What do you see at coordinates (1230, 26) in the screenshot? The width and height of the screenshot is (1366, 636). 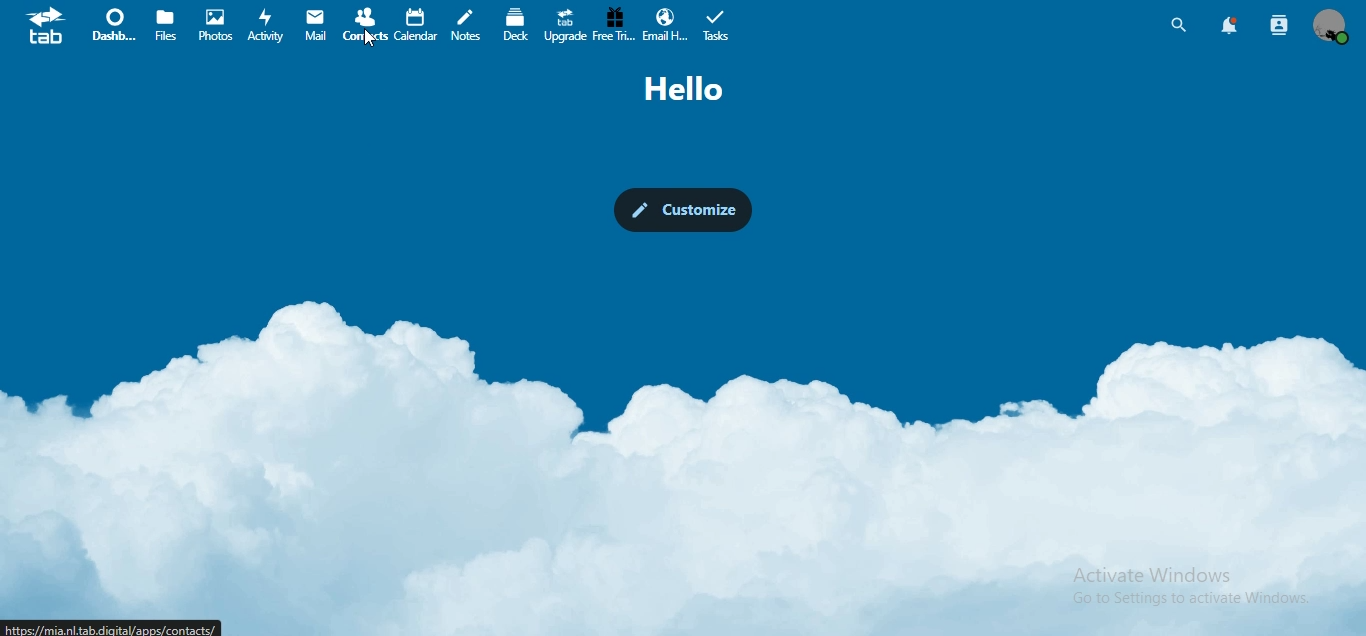 I see `notifications` at bounding box center [1230, 26].